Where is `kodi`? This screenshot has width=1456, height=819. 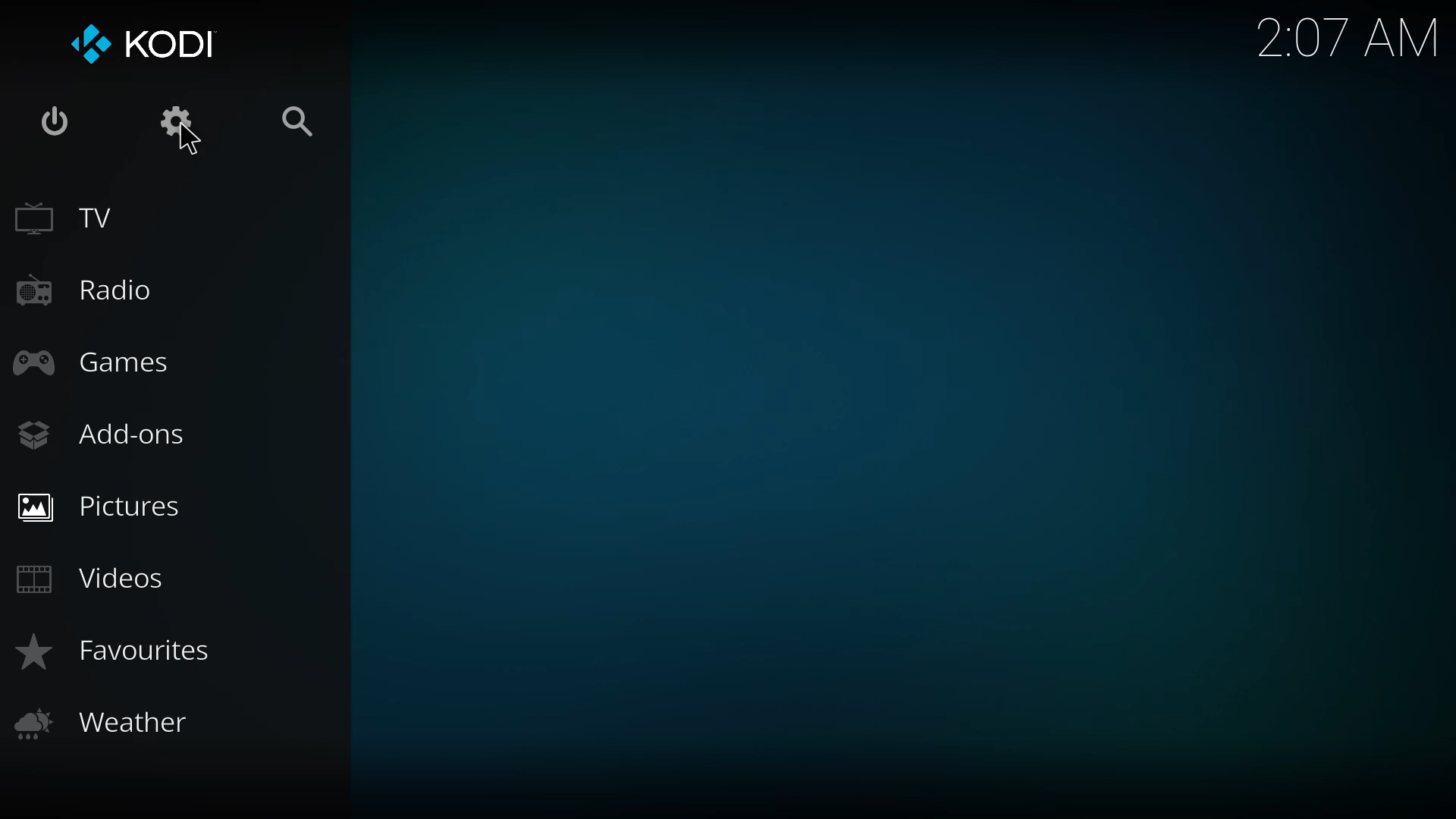
kodi is located at coordinates (151, 46).